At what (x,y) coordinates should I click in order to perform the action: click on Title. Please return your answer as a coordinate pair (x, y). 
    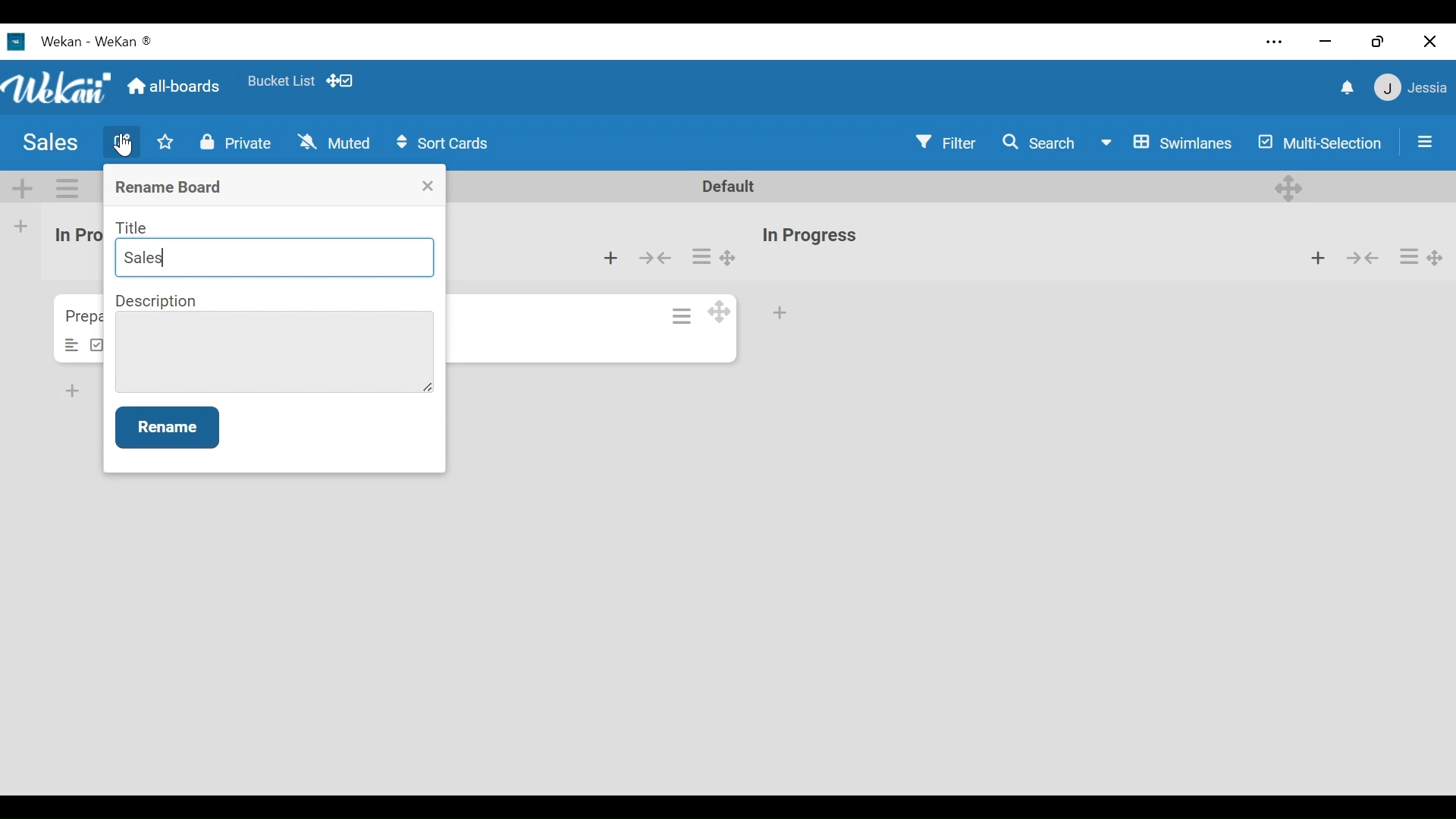
    Looking at the image, I should click on (133, 227).